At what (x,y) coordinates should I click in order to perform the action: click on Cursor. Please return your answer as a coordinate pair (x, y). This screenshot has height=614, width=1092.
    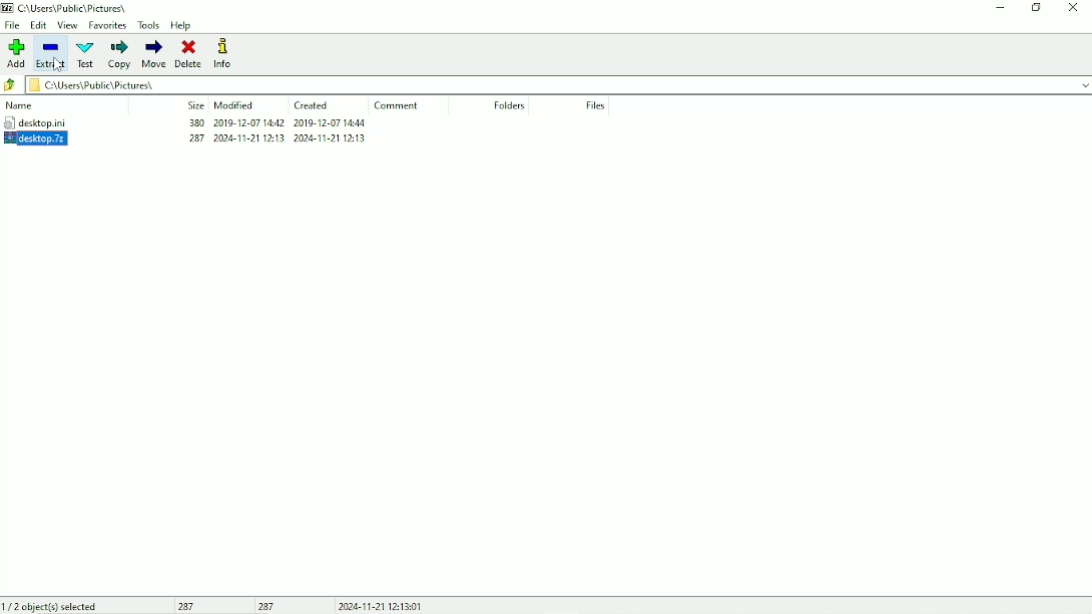
    Looking at the image, I should click on (58, 64).